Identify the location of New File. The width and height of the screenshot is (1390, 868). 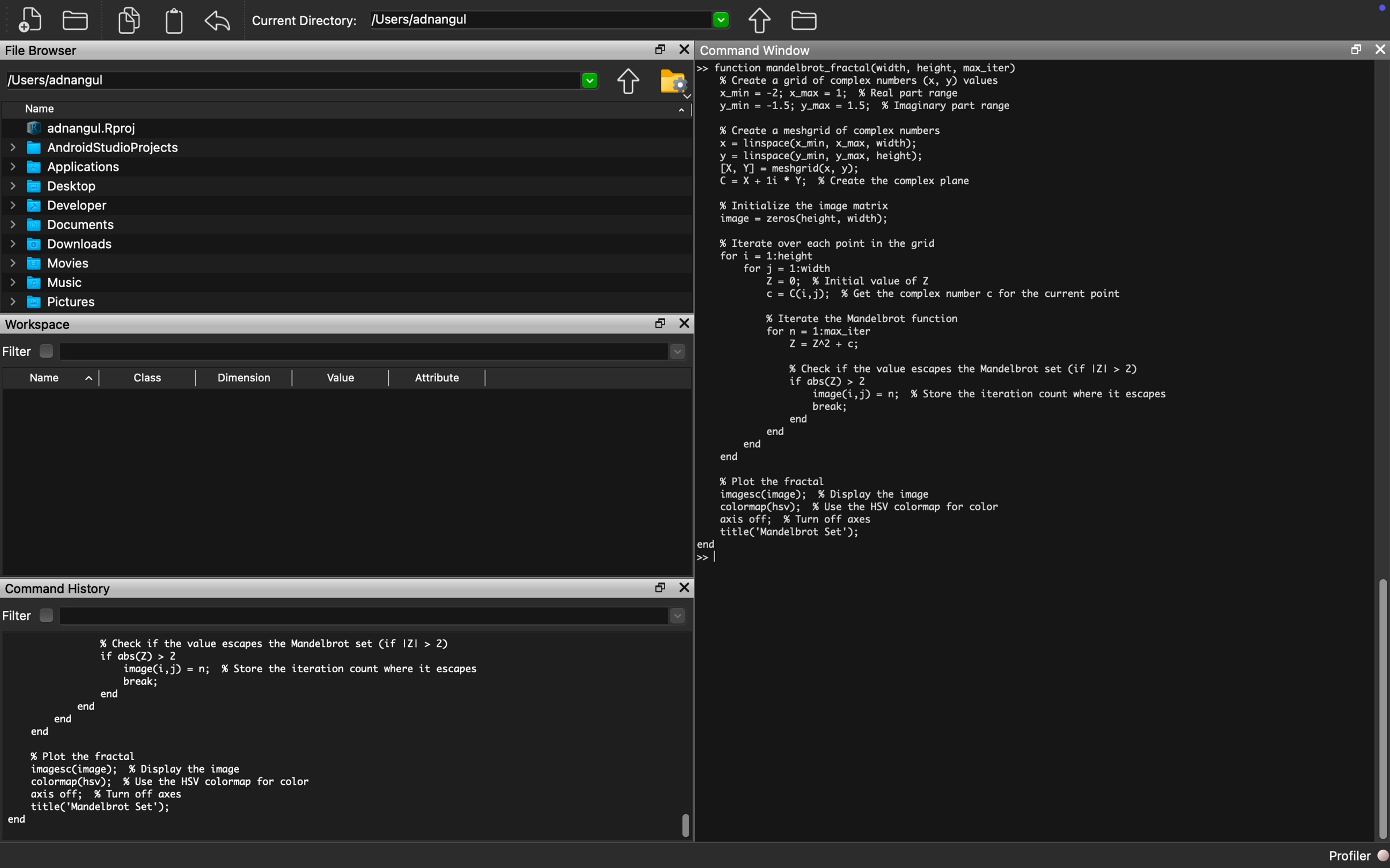
(29, 21).